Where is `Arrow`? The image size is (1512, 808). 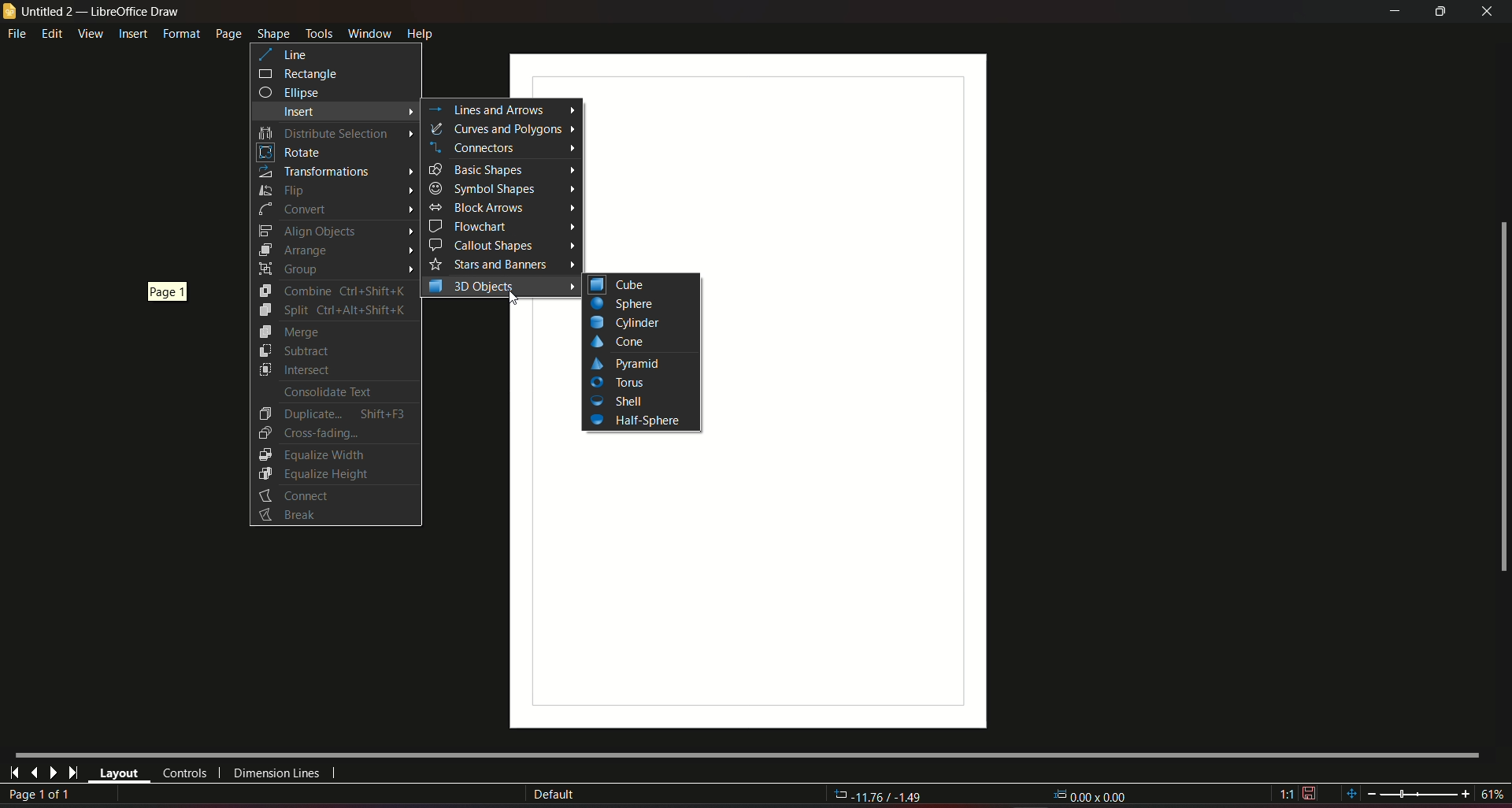 Arrow is located at coordinates (571, 187).